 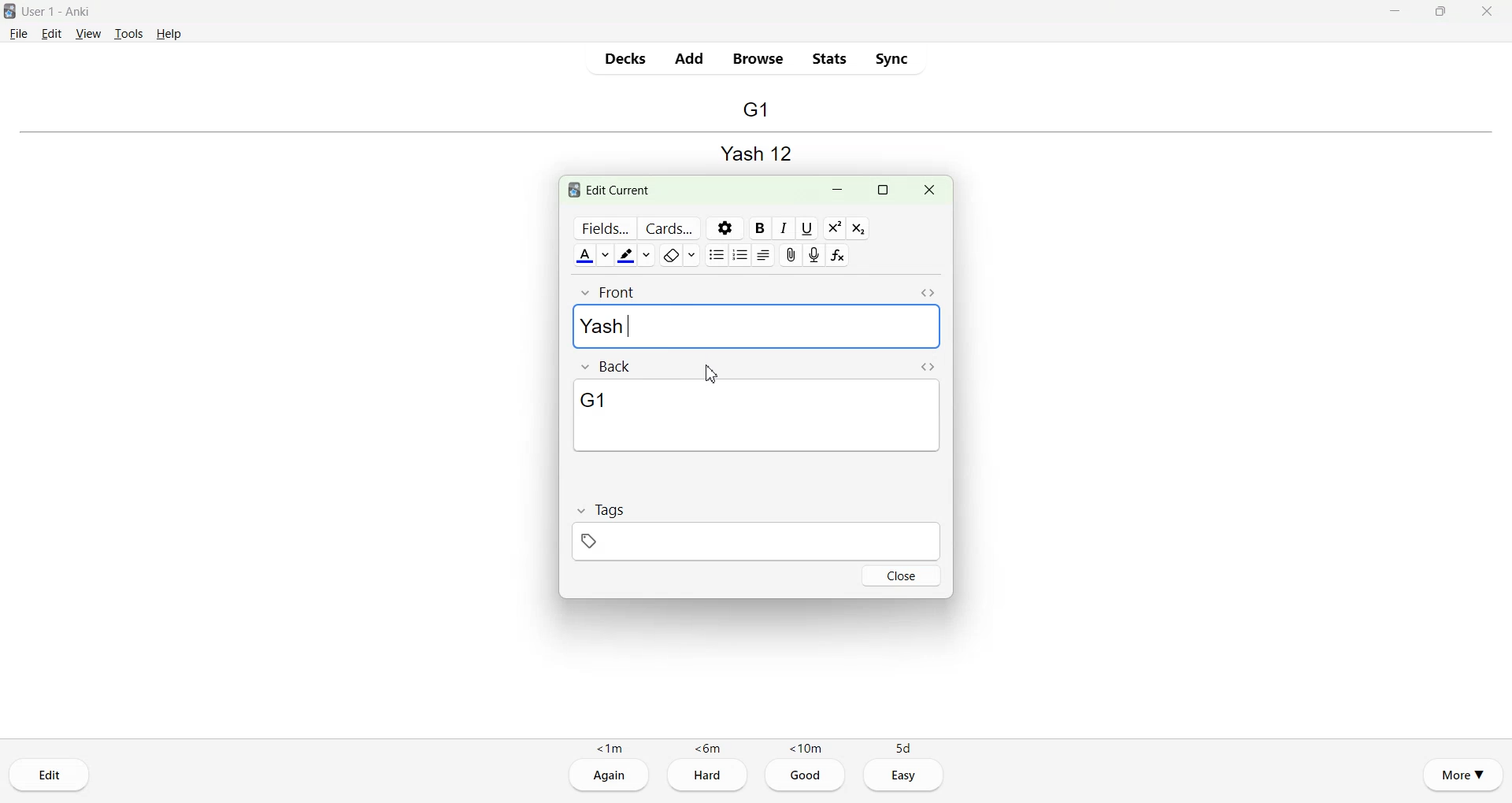 What do you see at coordinates (607, 255) in the screenshot?
I see `Change color` at bounding box center [607, 255].